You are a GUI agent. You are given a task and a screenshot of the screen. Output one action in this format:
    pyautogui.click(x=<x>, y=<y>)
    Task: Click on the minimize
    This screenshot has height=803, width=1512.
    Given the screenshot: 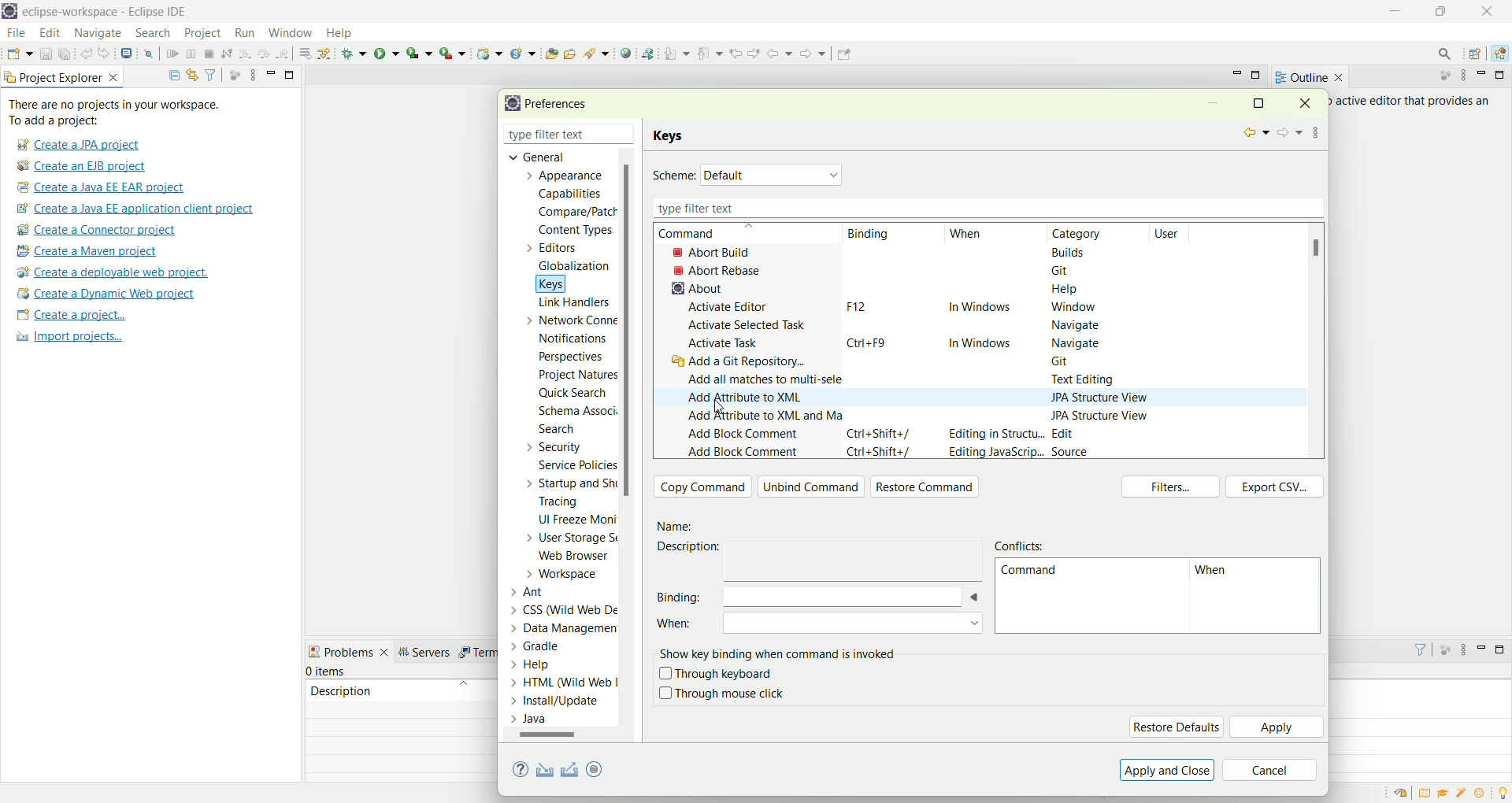 What is the action you would take?
    pyautogui.click(x=1482, y=647)
    